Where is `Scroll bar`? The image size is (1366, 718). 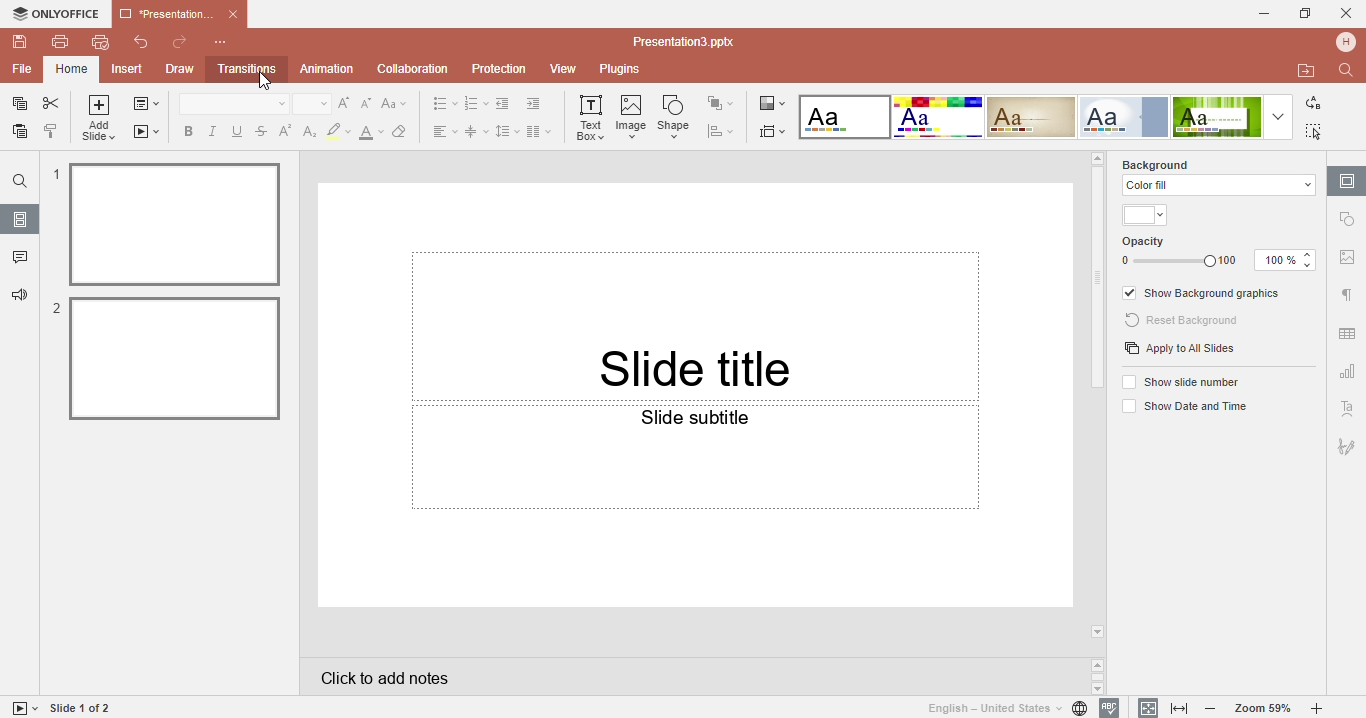
Scroll bar is located at coordinates (1099, 281).